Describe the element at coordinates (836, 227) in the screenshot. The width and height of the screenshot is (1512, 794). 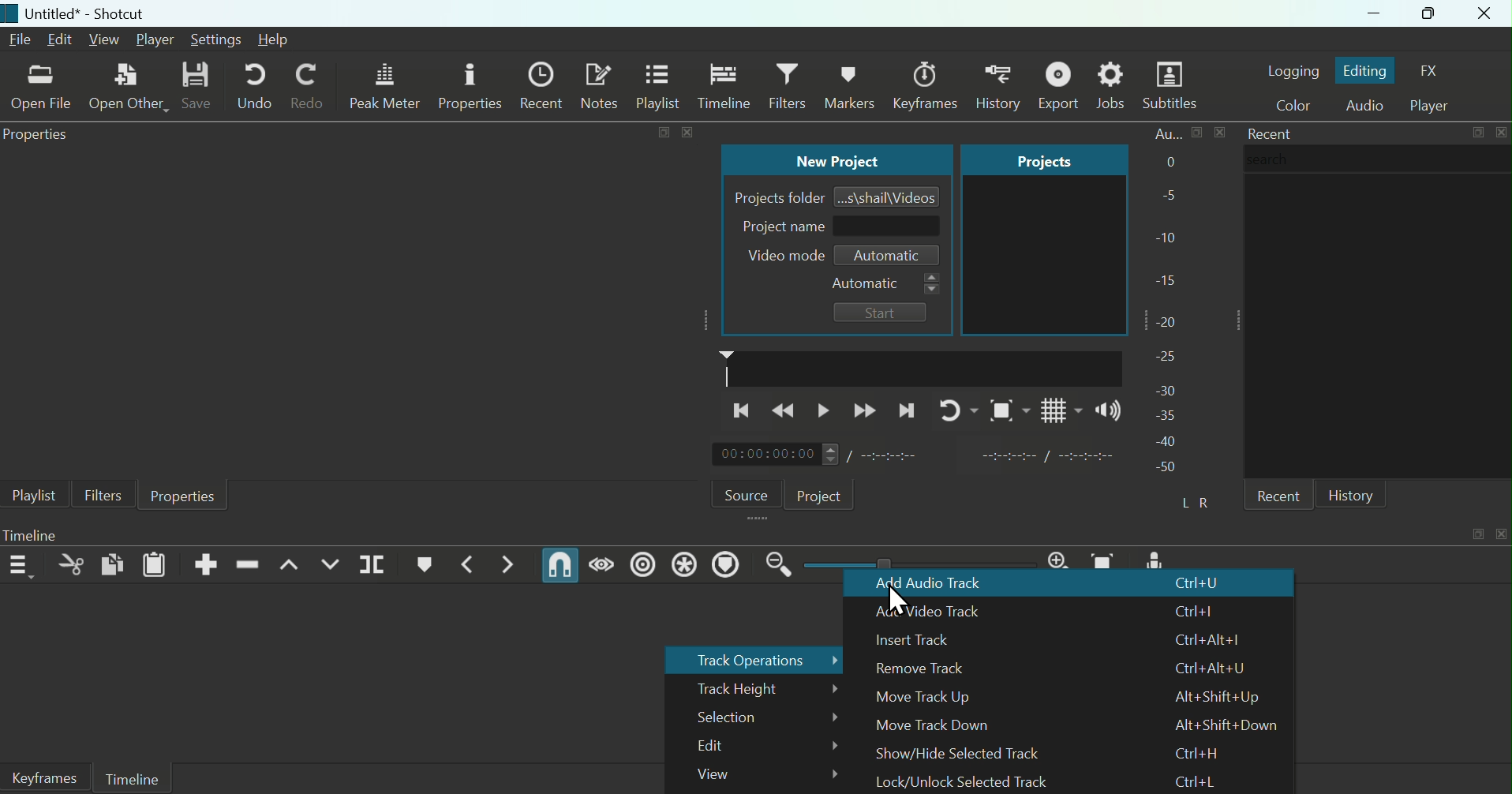
I see `Project name` at that location.